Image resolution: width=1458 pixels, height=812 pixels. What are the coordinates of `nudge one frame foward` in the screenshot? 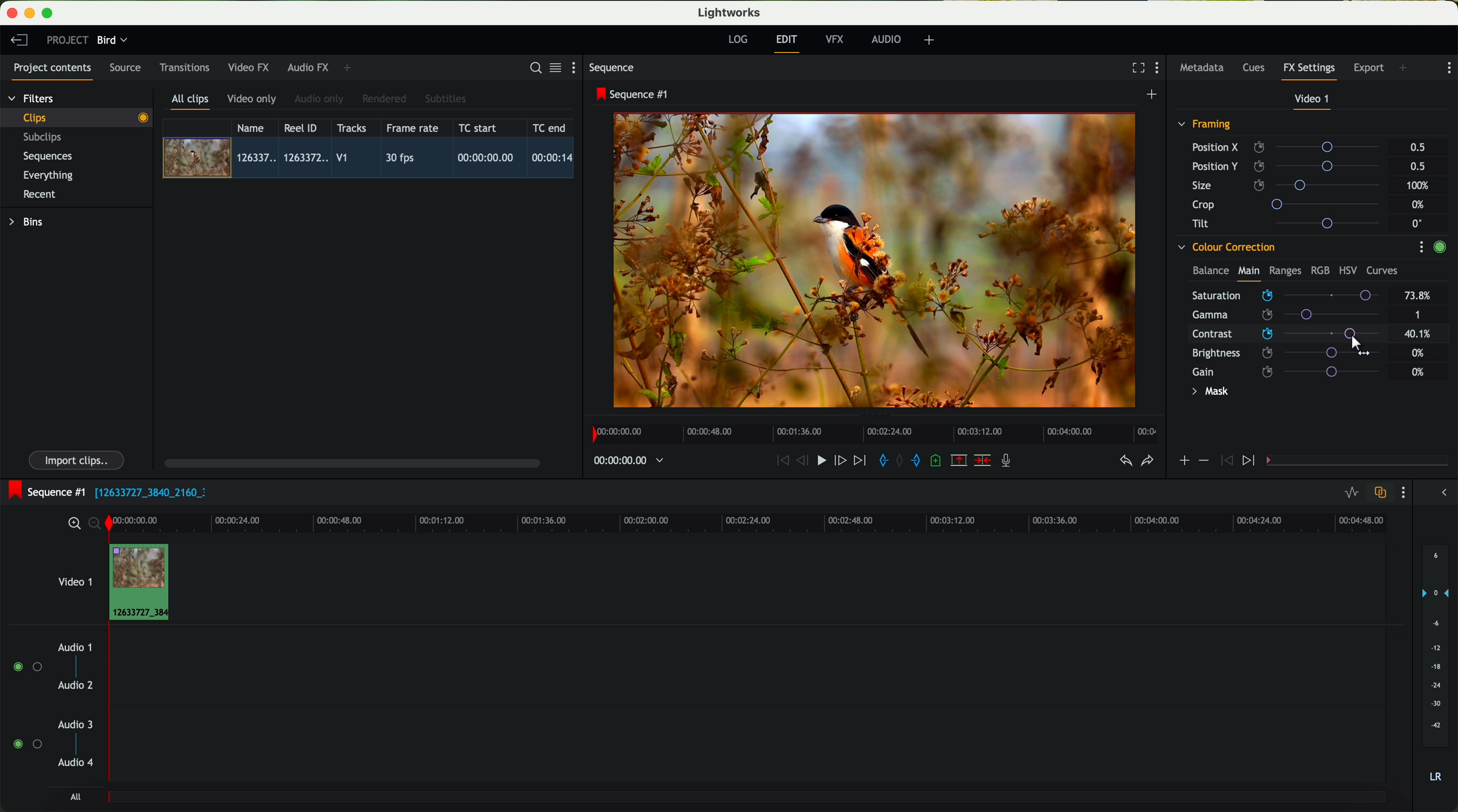 It's located at (842, 461).